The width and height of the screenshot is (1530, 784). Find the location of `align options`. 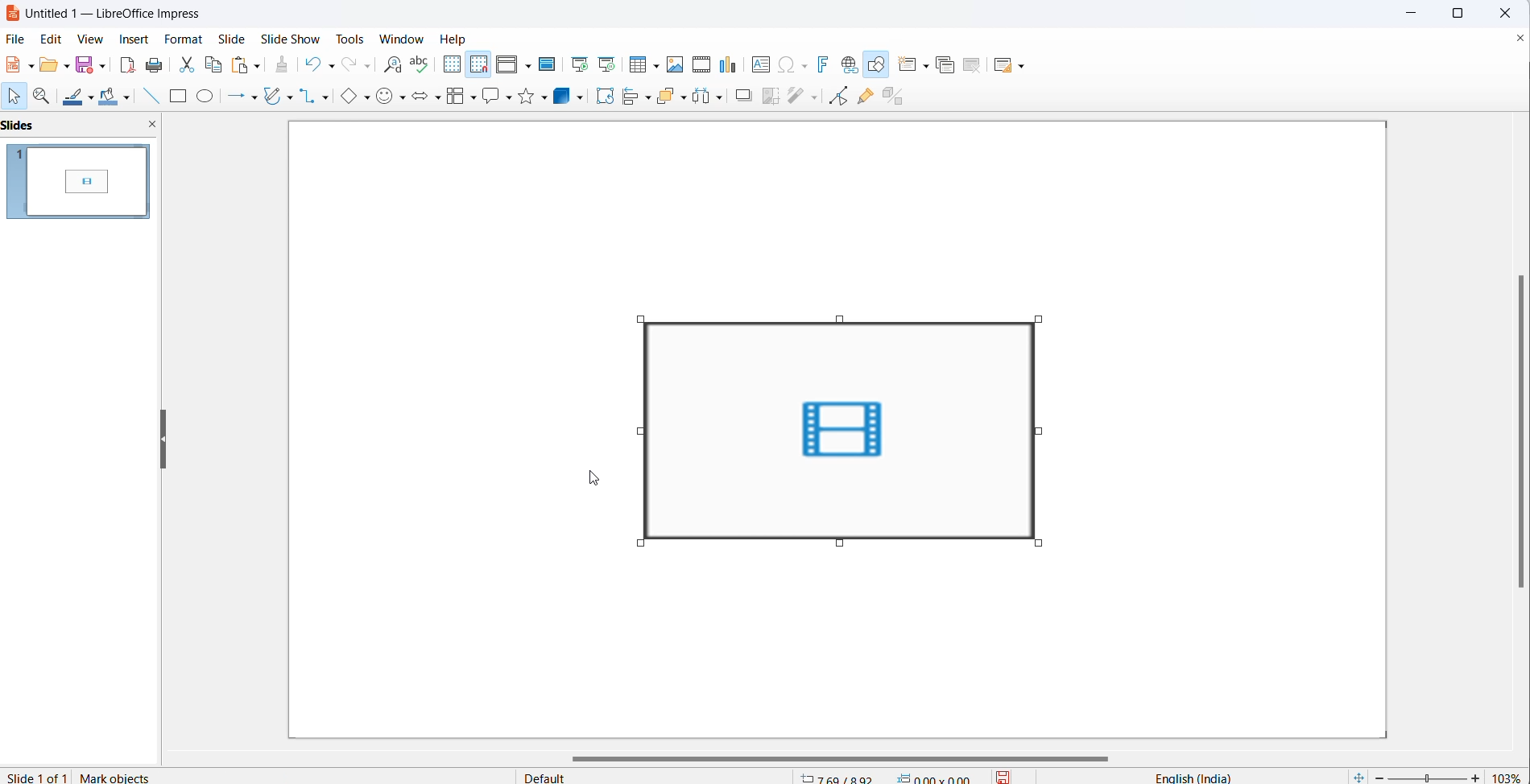

align options is located at coordinates (649, 99).